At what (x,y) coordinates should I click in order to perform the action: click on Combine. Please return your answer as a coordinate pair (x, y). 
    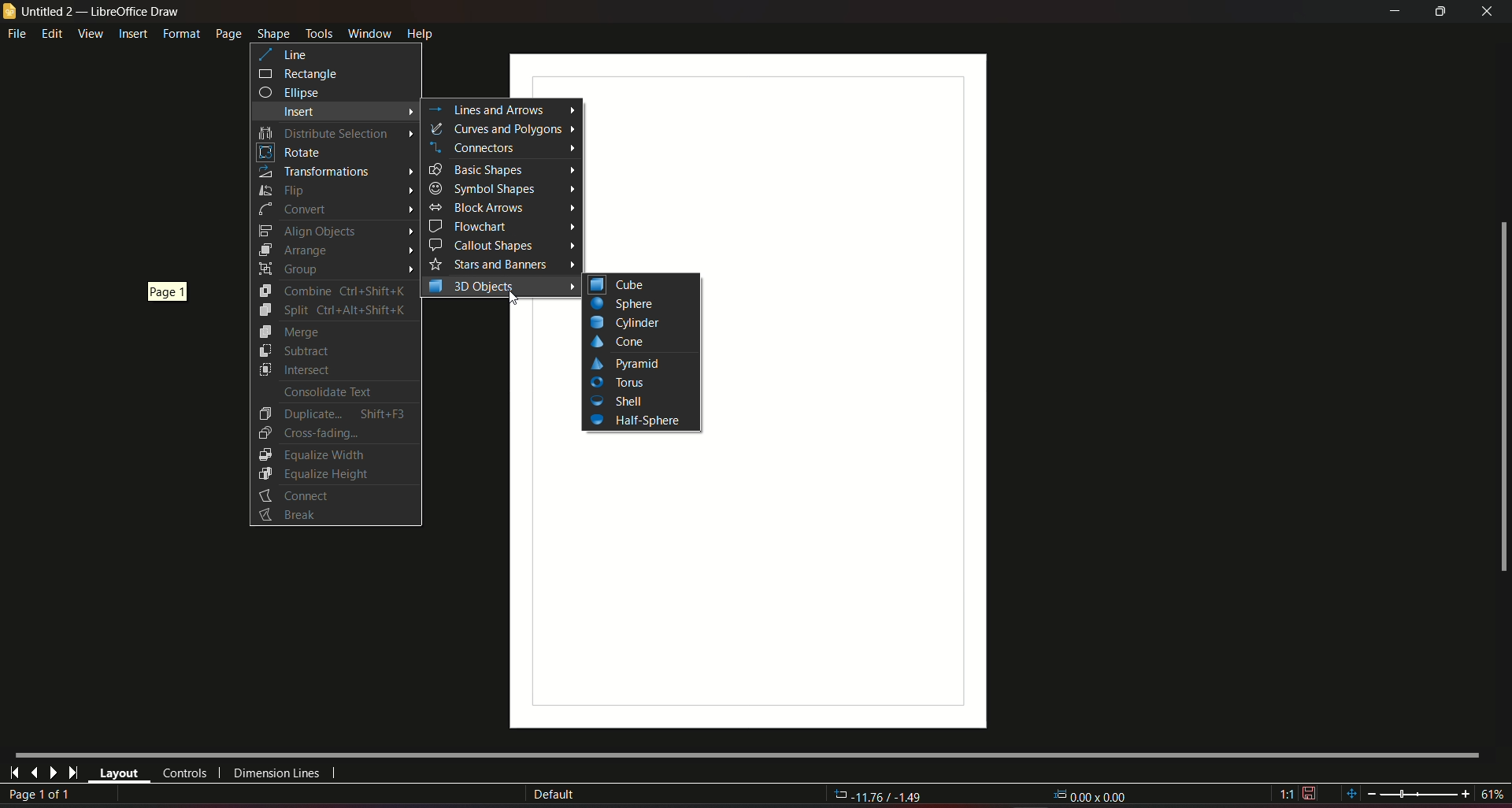
    Looking at the image, I should click on (334, 290).